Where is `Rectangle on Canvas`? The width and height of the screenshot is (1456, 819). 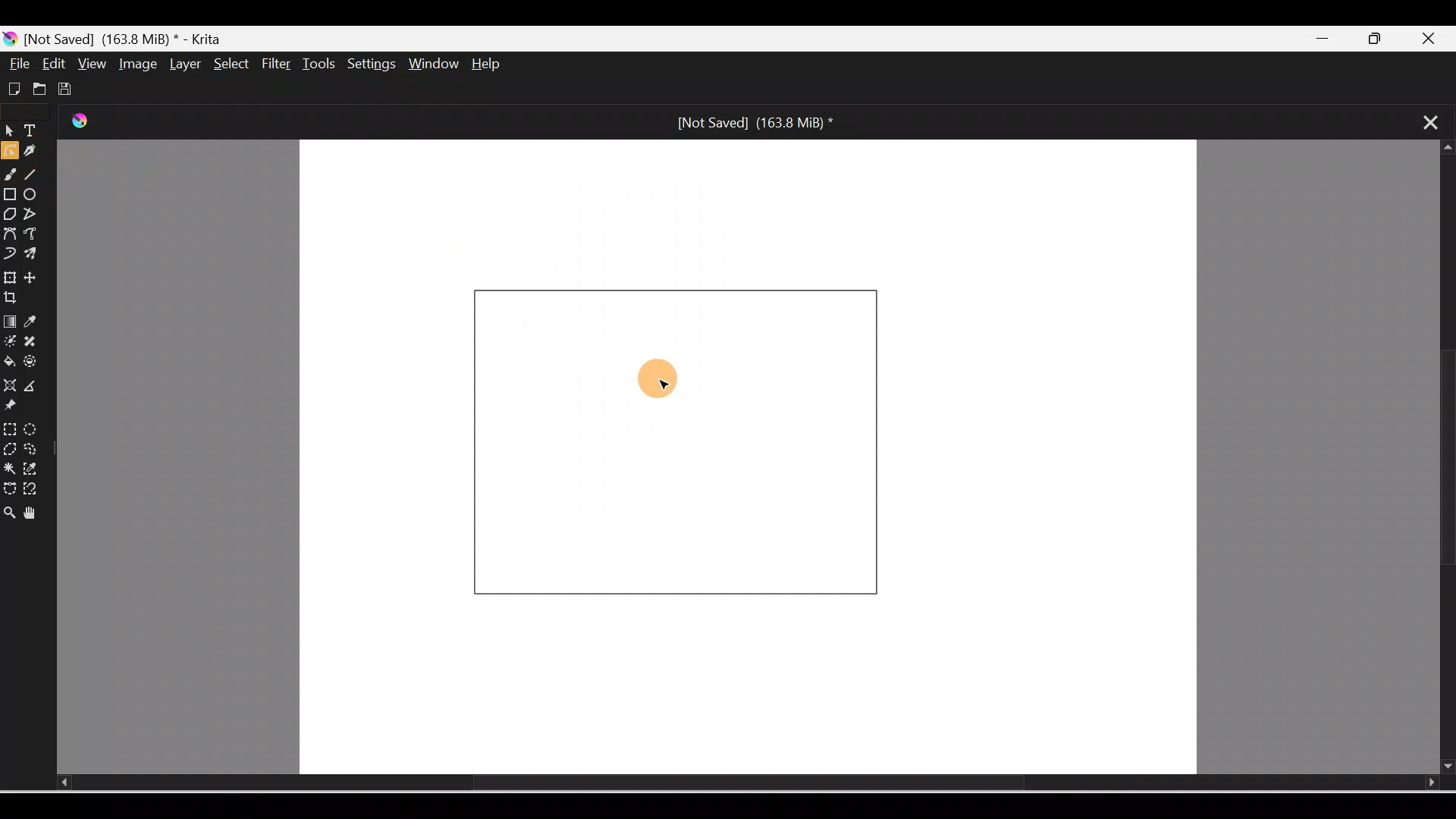 Rectangle on Canvas is located at coordinates (681, 441).